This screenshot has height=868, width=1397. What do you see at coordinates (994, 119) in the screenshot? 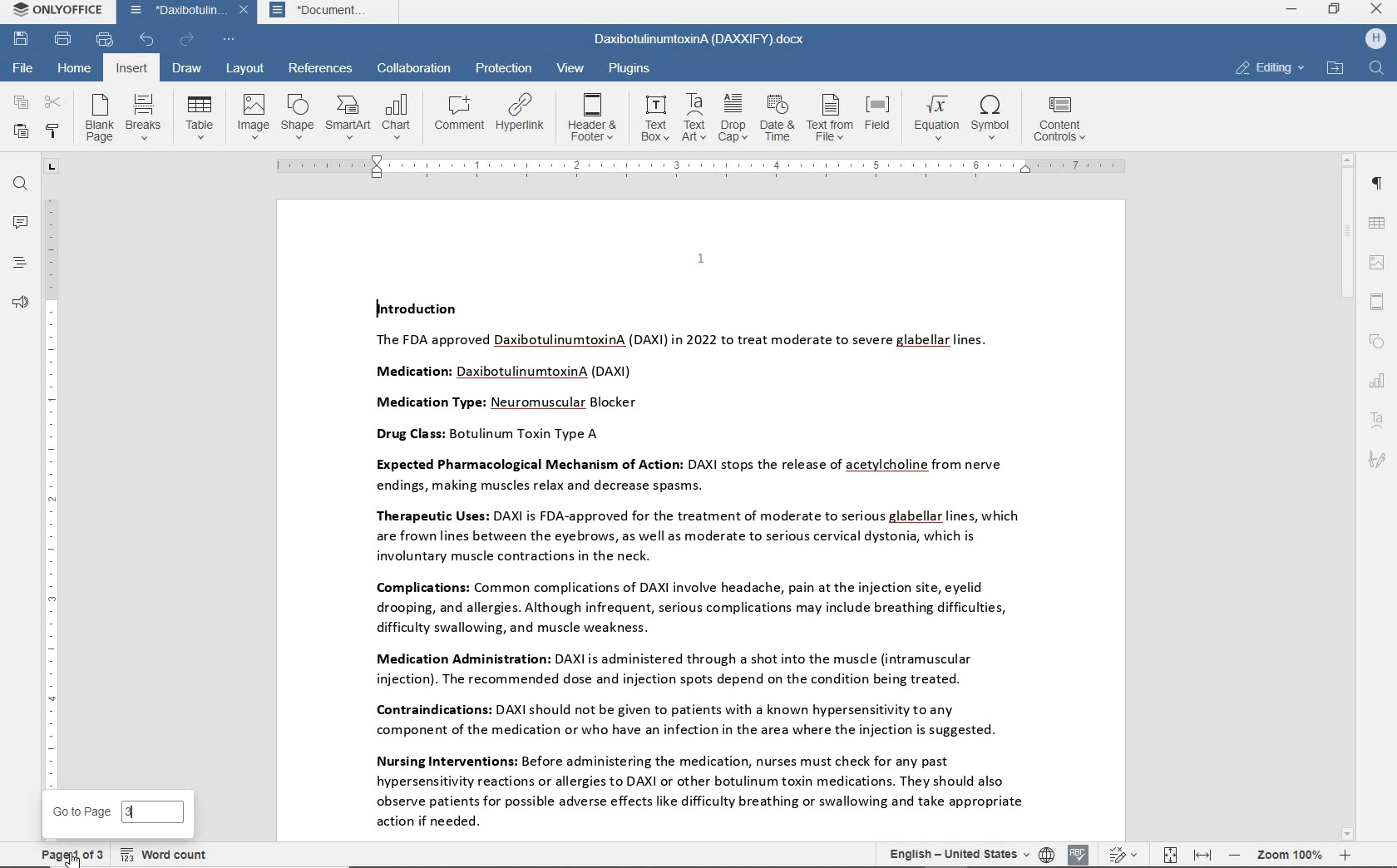
I see `symbol` at bounding box center [994, 119].